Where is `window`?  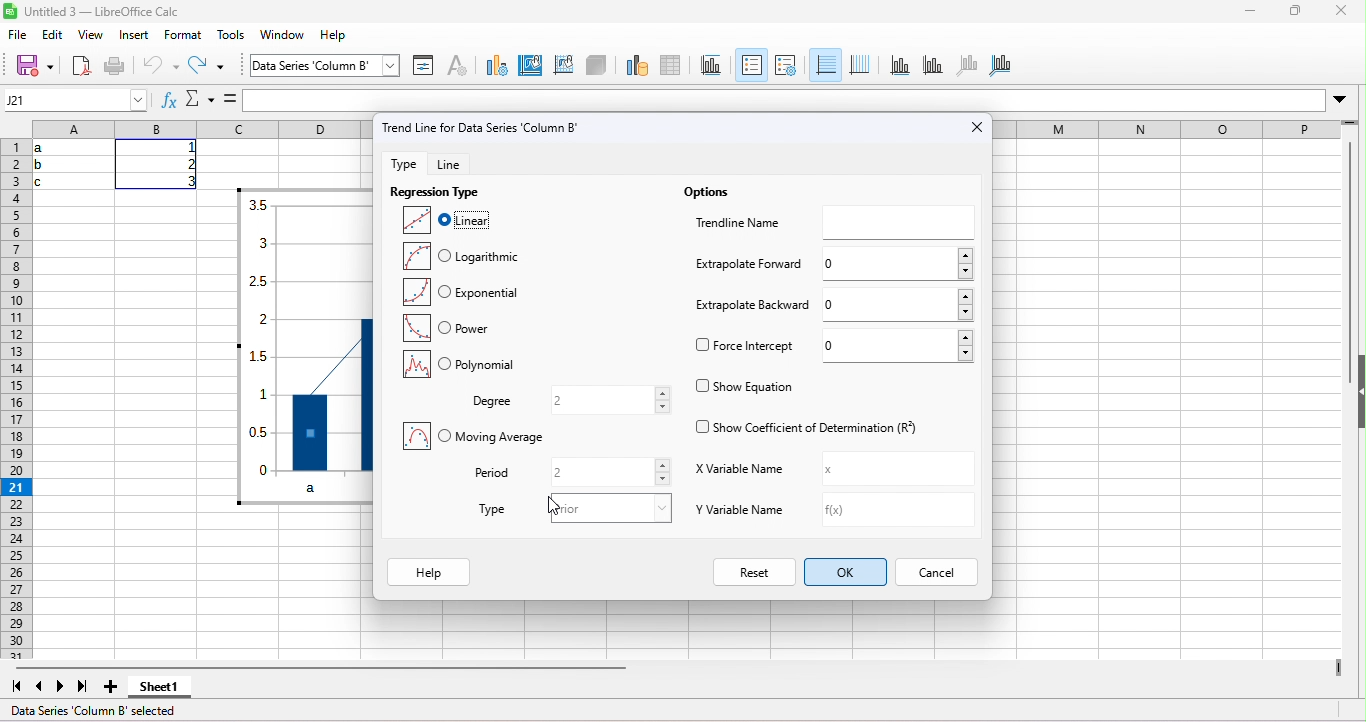
window is located at coordinates (286, 37).